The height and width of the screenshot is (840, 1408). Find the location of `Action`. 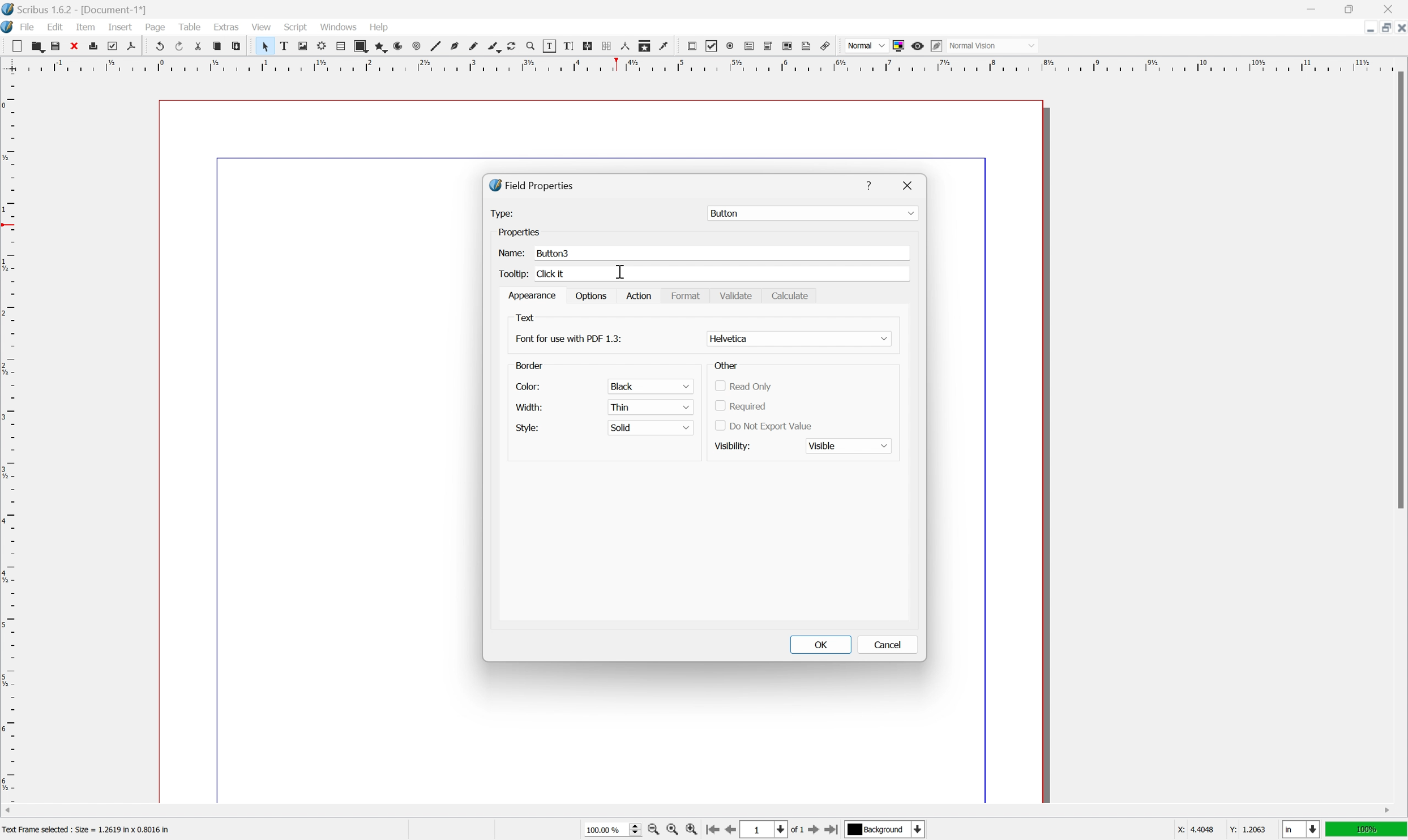

Action is located at coordinates (640, 295).